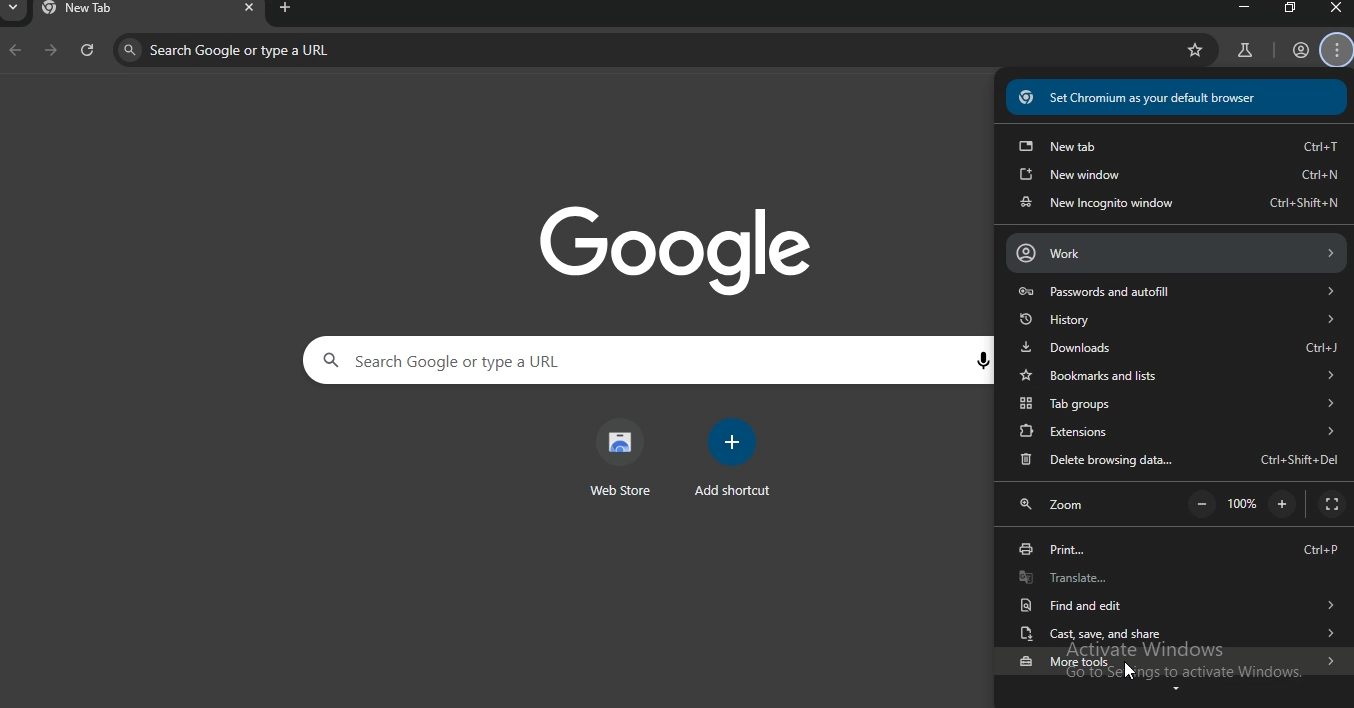 The height and width of the screenshot is (708, 1354). Describe the element at coordinates (1175, 607) in the screenshot. I see `find and edit` at that location.